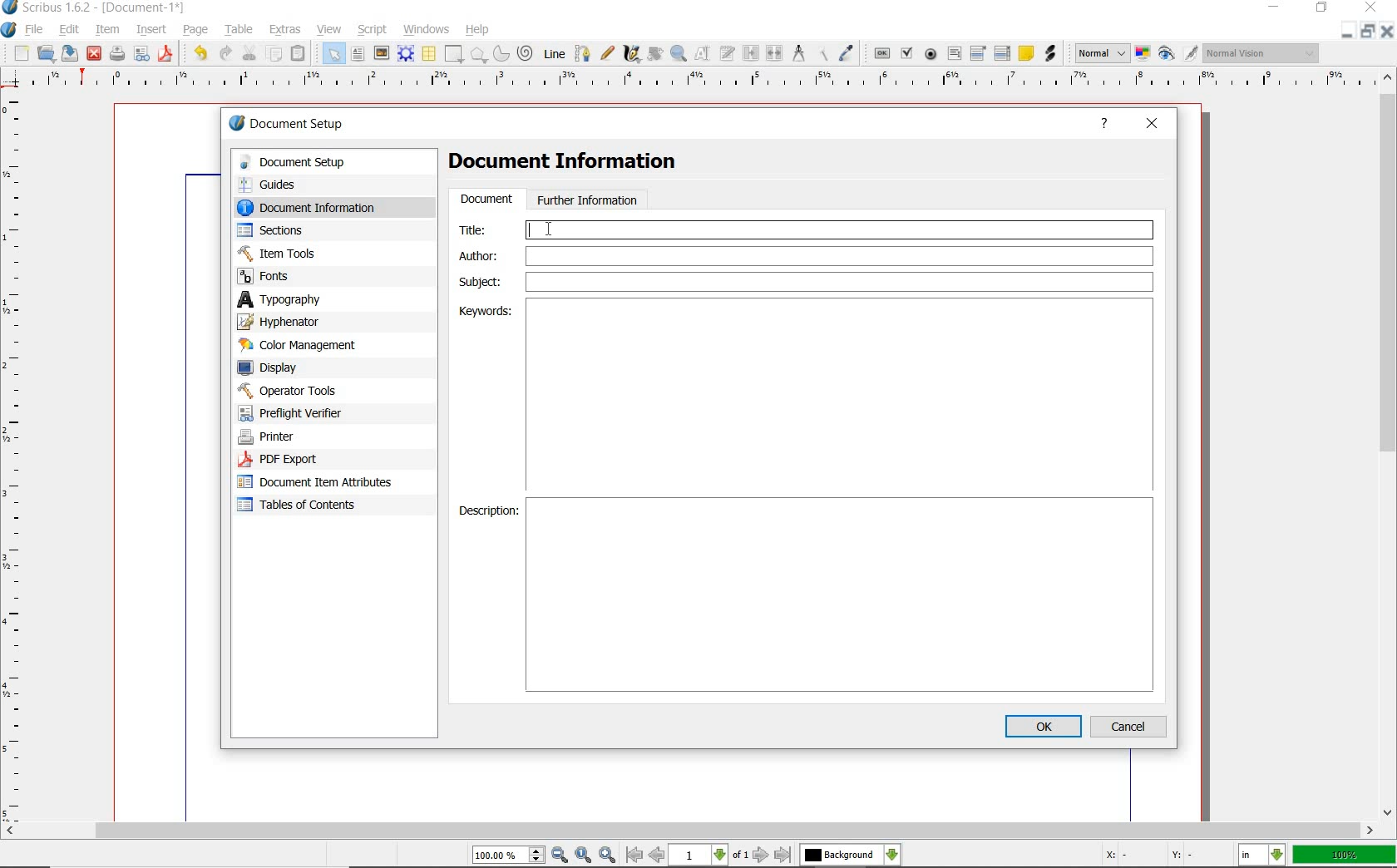 This screenshot has height=868, width=1397. What do you see at coordinates (151, 29) in the screenshot?
I see `insert` at bounding box center [151, 29].